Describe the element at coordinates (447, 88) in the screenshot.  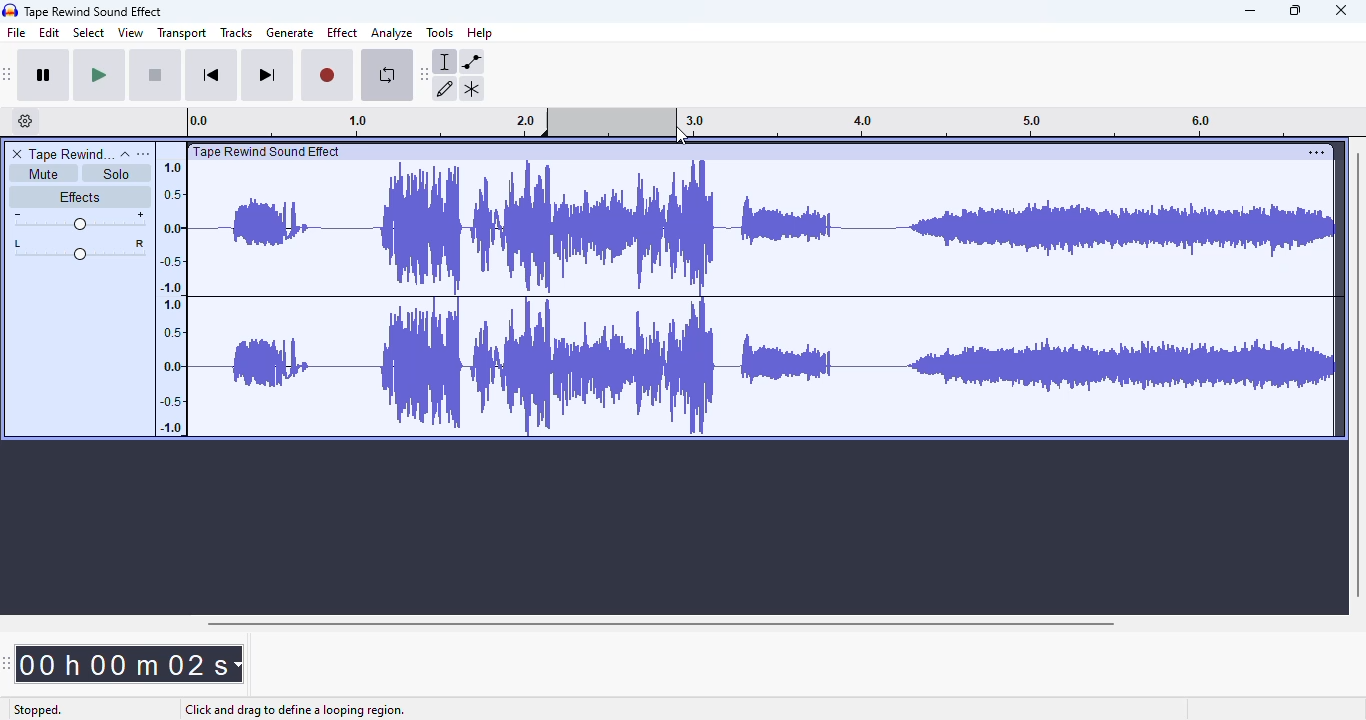
I see `draw tool` at that location.